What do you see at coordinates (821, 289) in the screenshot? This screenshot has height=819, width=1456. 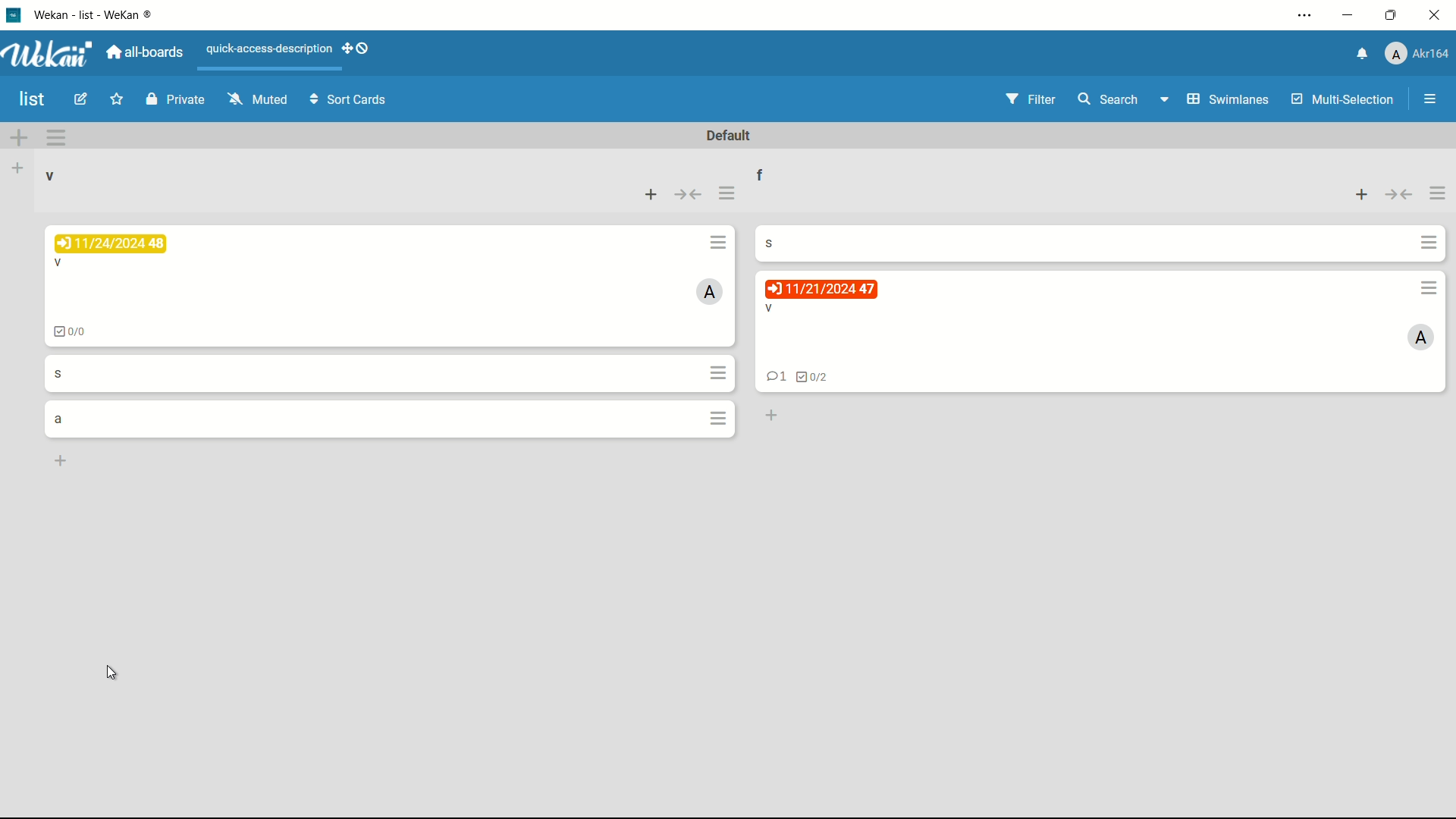 I see `due date` at bounding box center [821, 289].